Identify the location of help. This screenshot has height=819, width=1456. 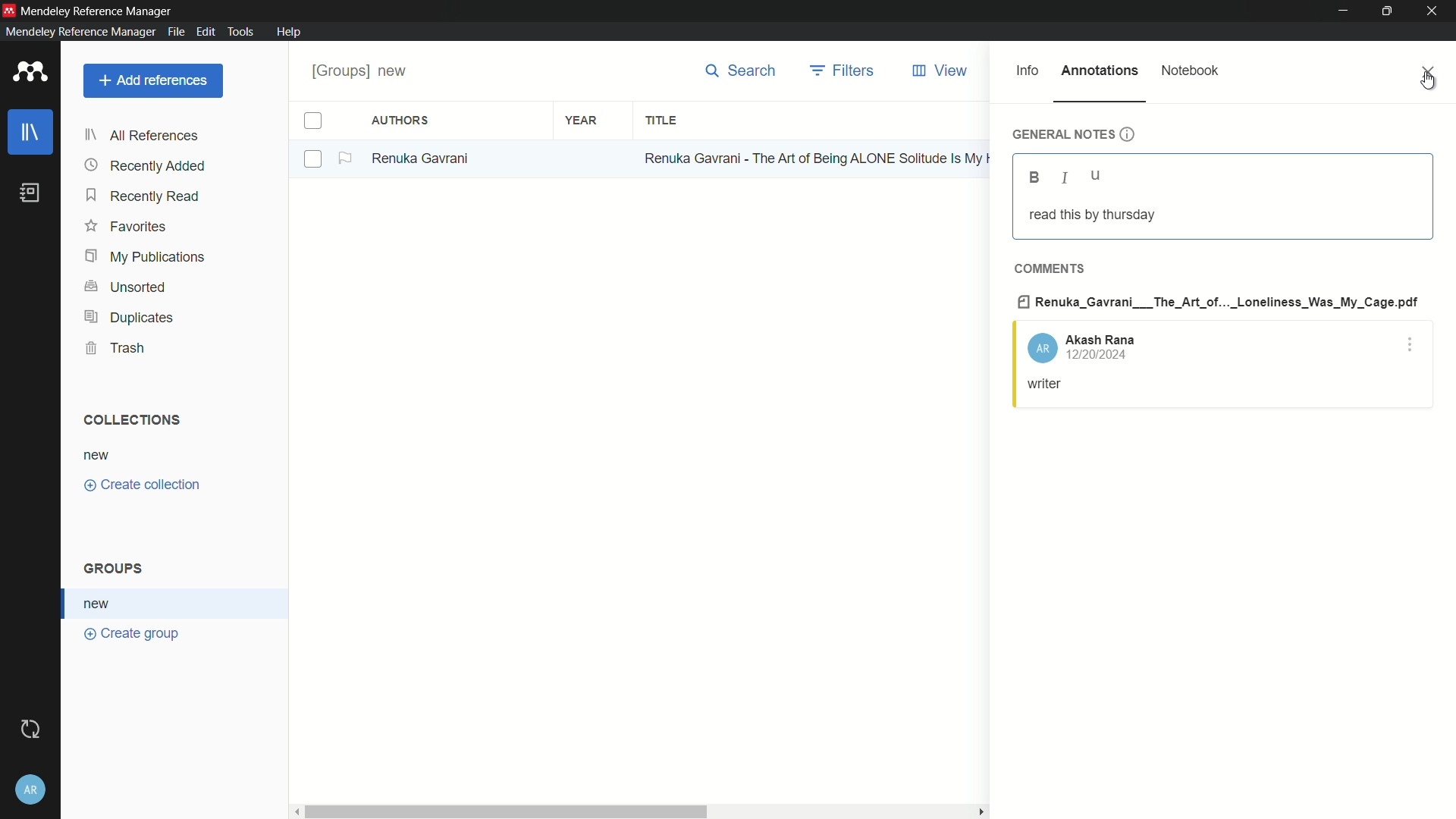
(290, 32).